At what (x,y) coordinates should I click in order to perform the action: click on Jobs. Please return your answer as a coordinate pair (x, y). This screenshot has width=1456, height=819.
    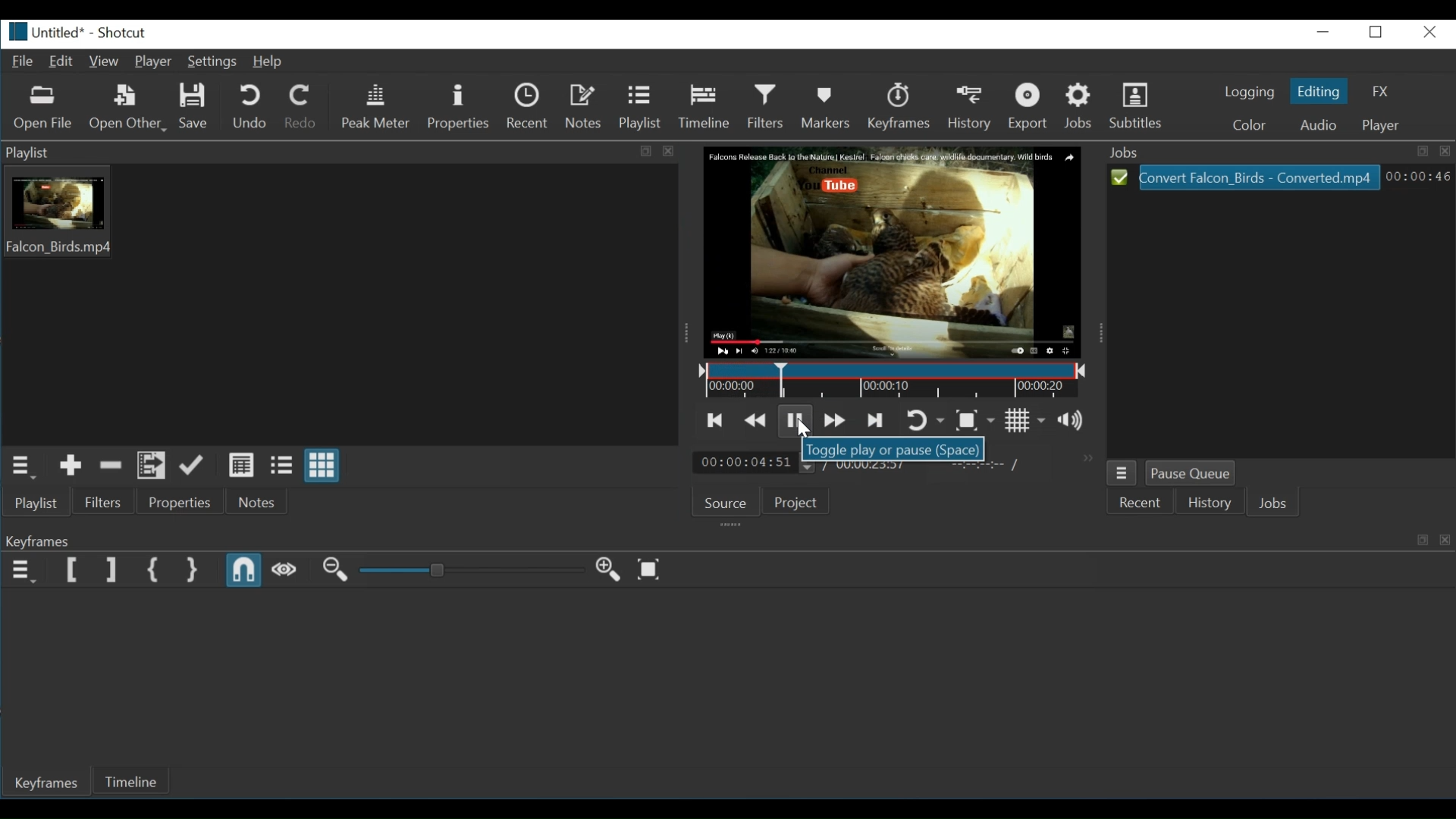
    Looking at the image, I should click on (1276, 505).